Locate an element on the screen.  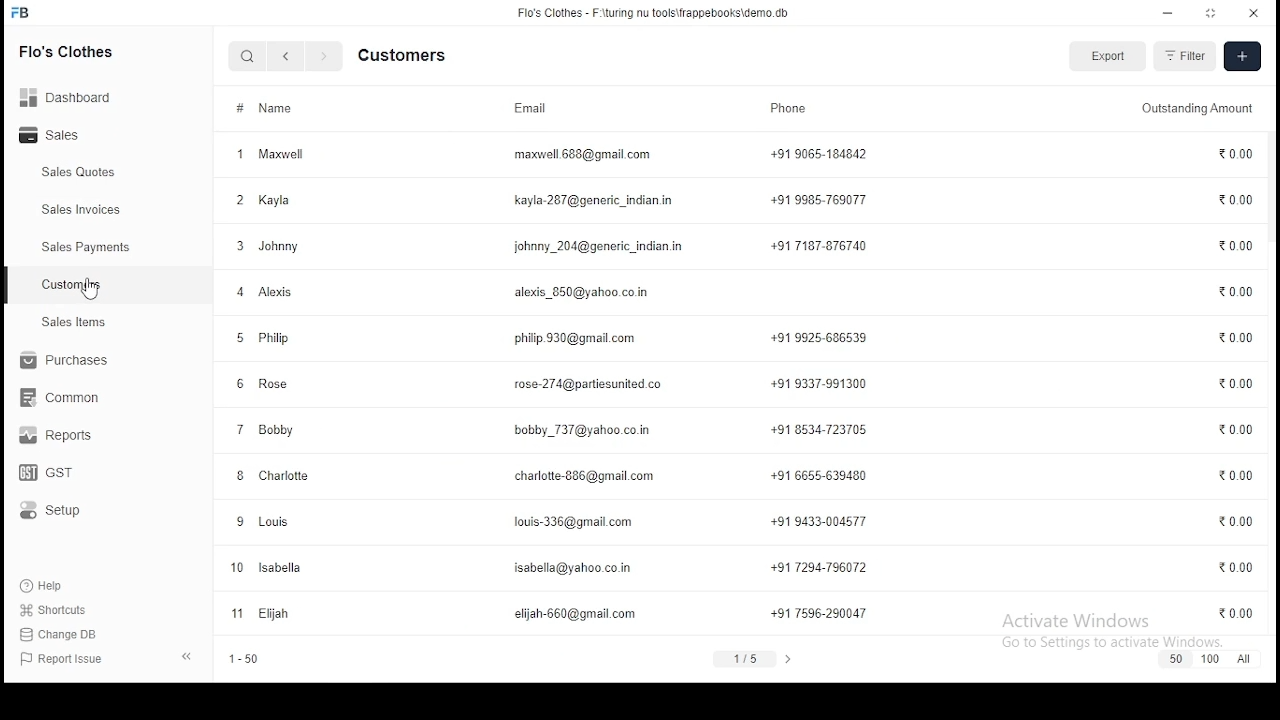
0.00 is located at coordinates (1235, 525).